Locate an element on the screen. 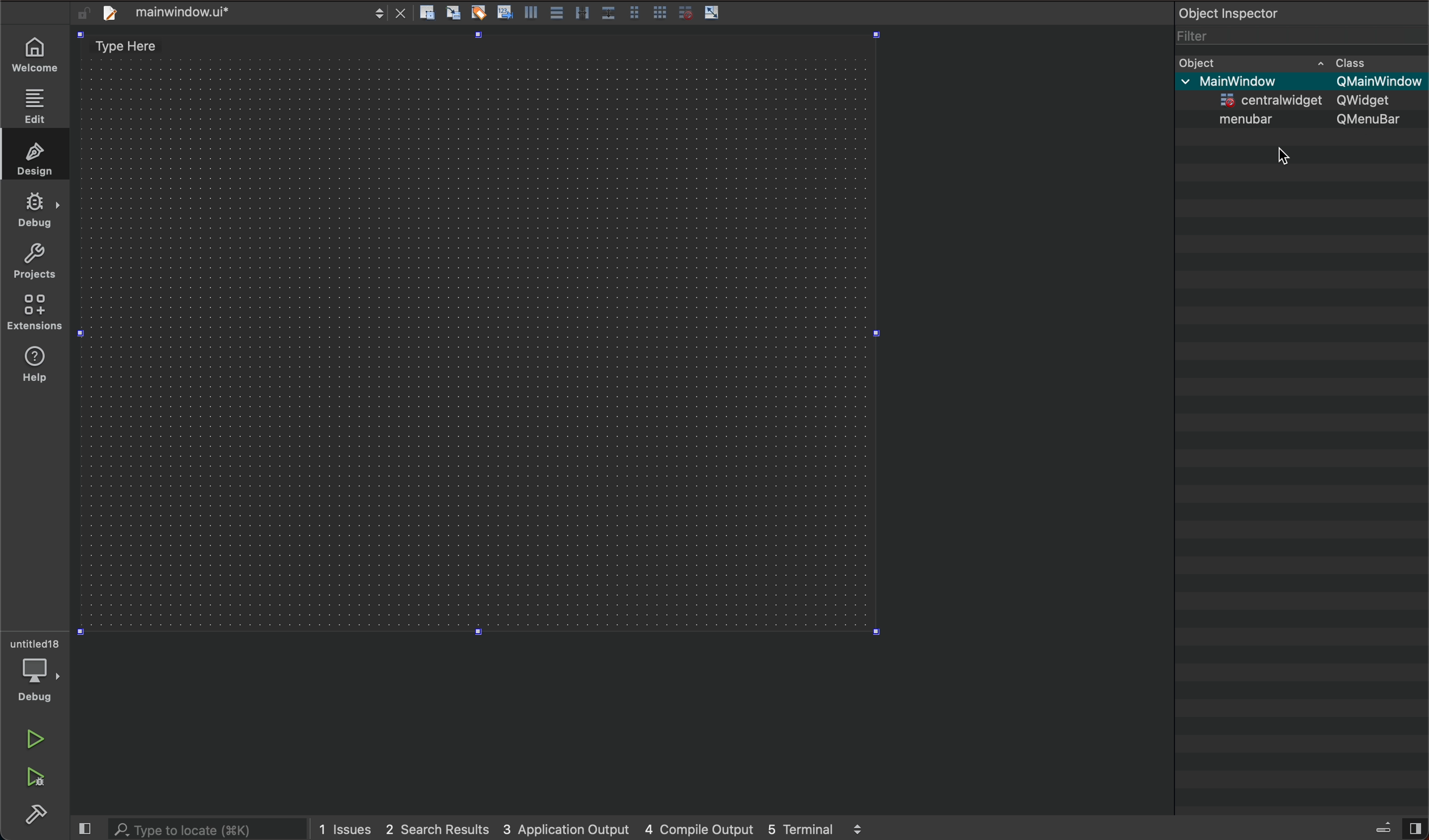 Image resolution: width=1429 pixels, height=840 pixels. 3 application output is located at coordinates (566, 825).